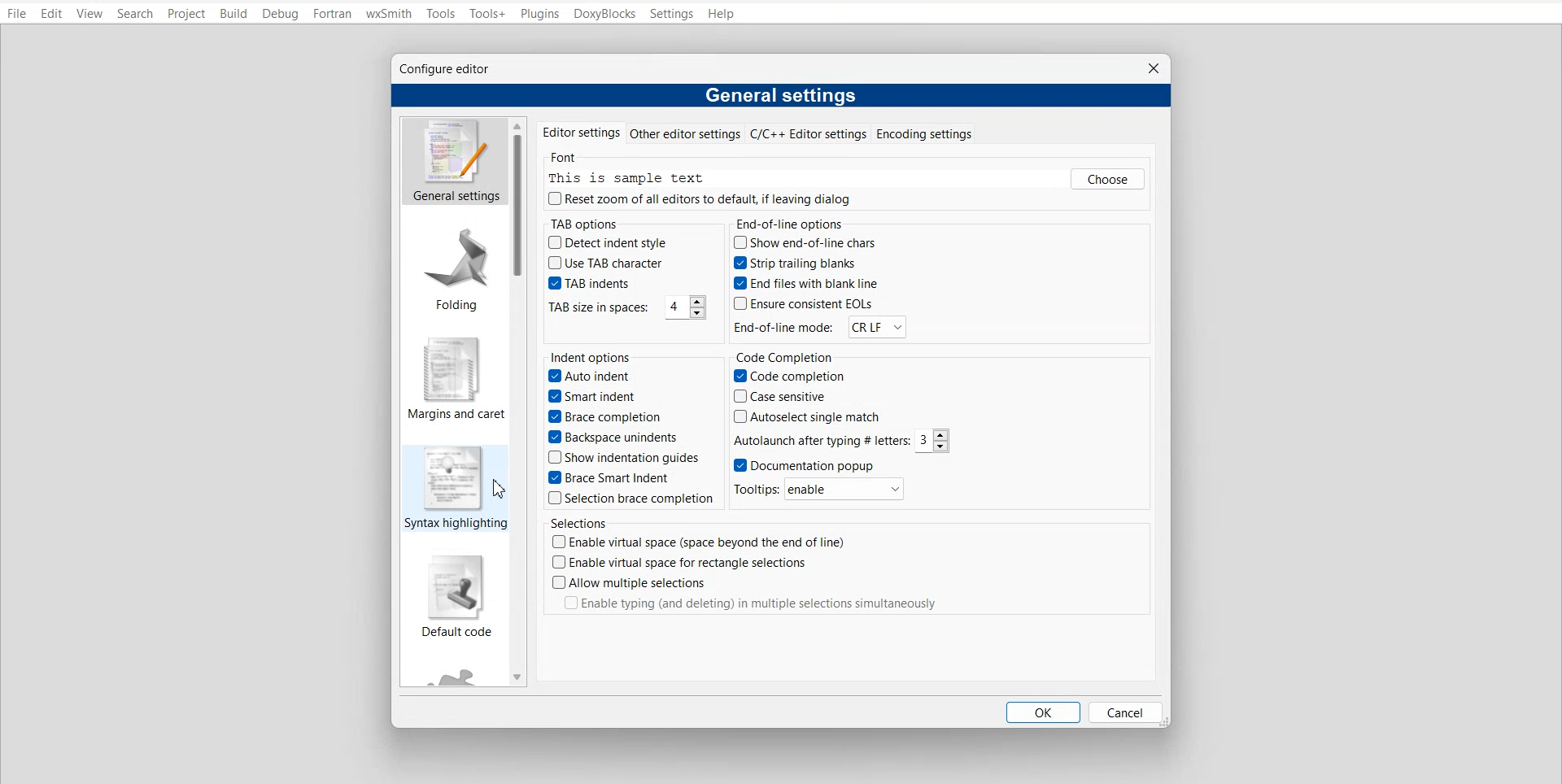 The height and width of the screenshot is (784, 1562). I want to click on Show indentation guides, so click(624, 456).